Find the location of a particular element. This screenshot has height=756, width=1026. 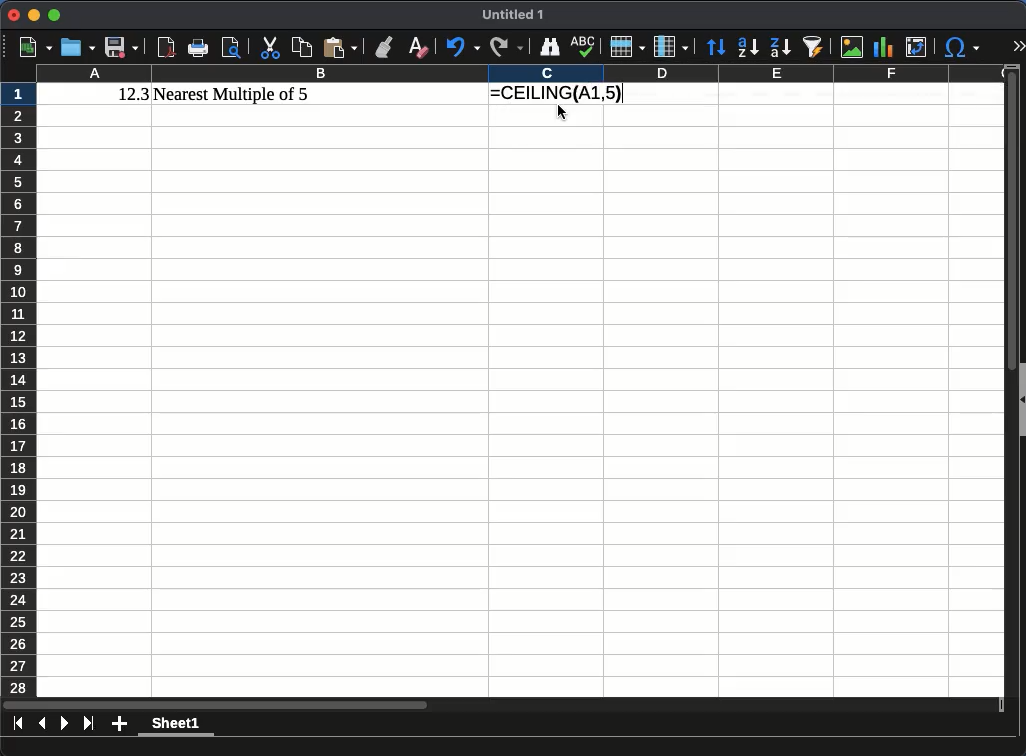

12.3 is located at coordinates (134, 94).